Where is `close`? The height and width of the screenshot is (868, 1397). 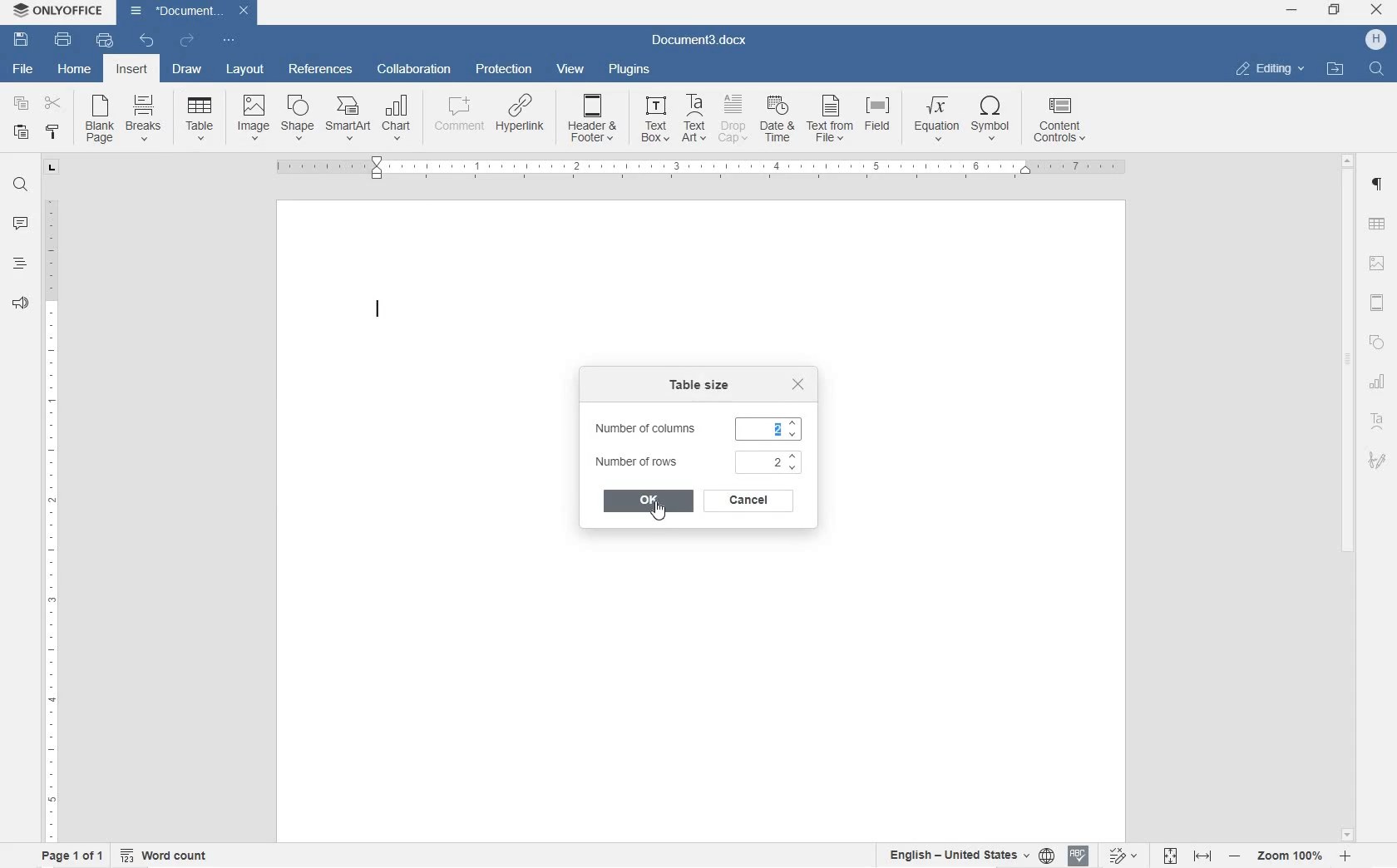 close is located at coordinates (799, 384).